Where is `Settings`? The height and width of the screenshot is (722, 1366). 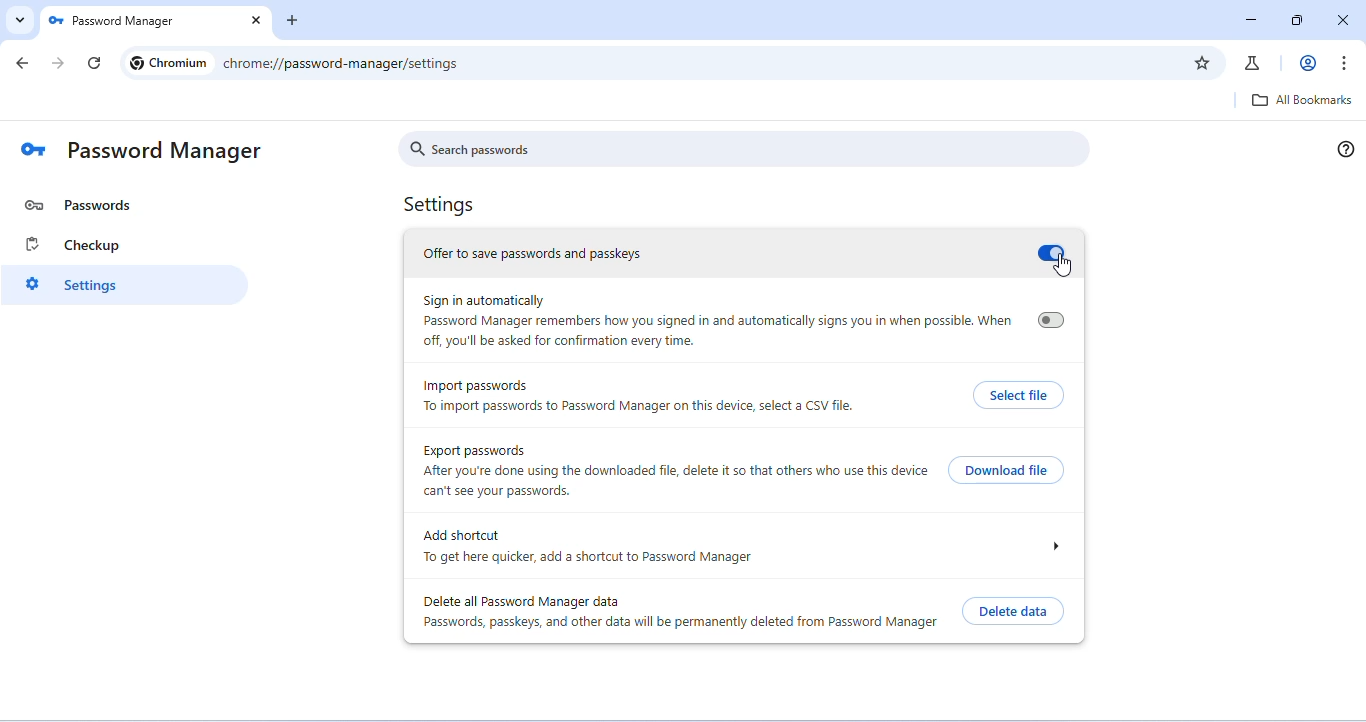 Settings is located at coordinates (438, 205).